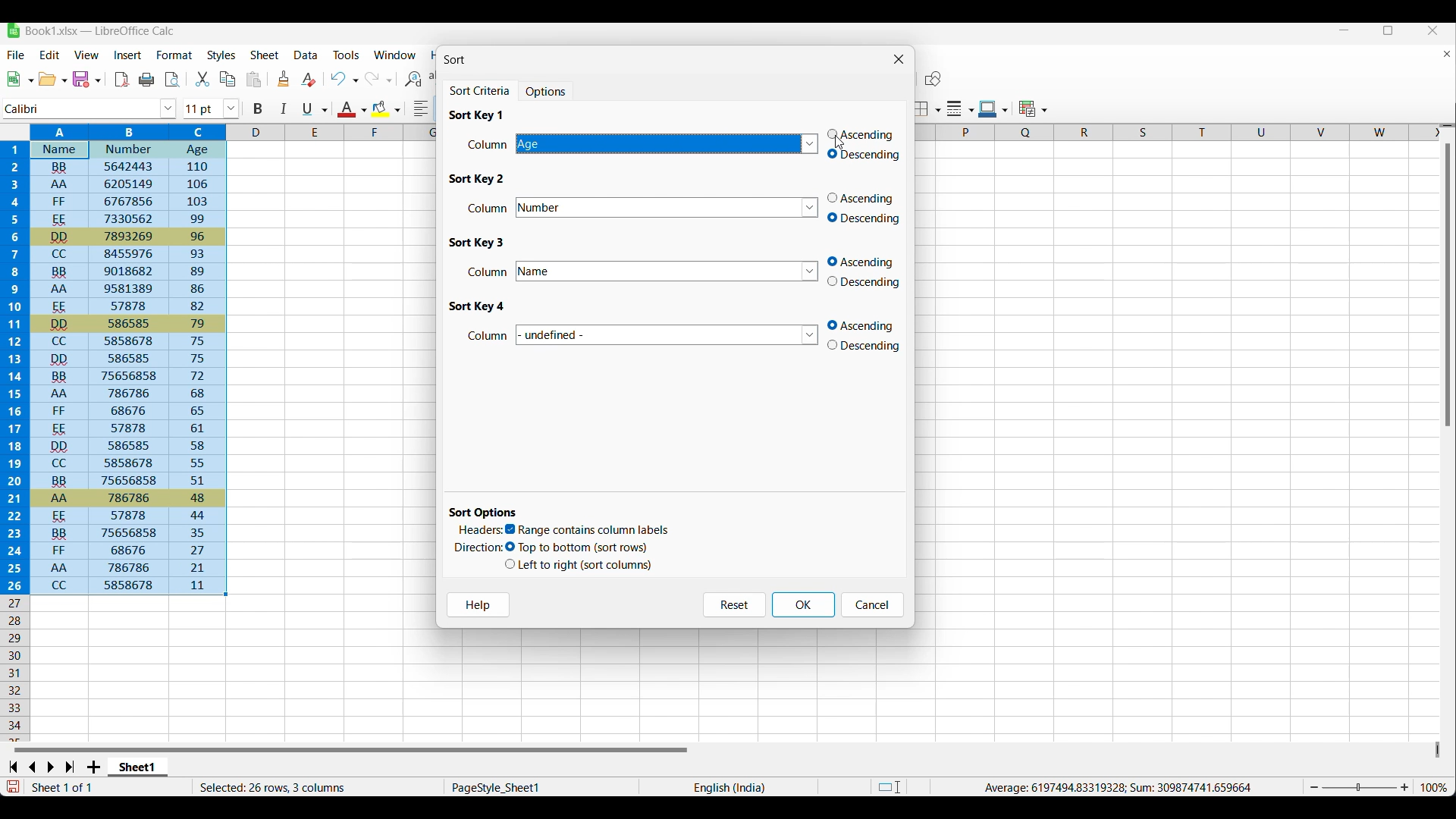 The width and height of the screenshot is (1456, 819). What do you see at coordinates (231, 108) in the screenshot?
I see `Font size options` at bounding box center [231, 108].